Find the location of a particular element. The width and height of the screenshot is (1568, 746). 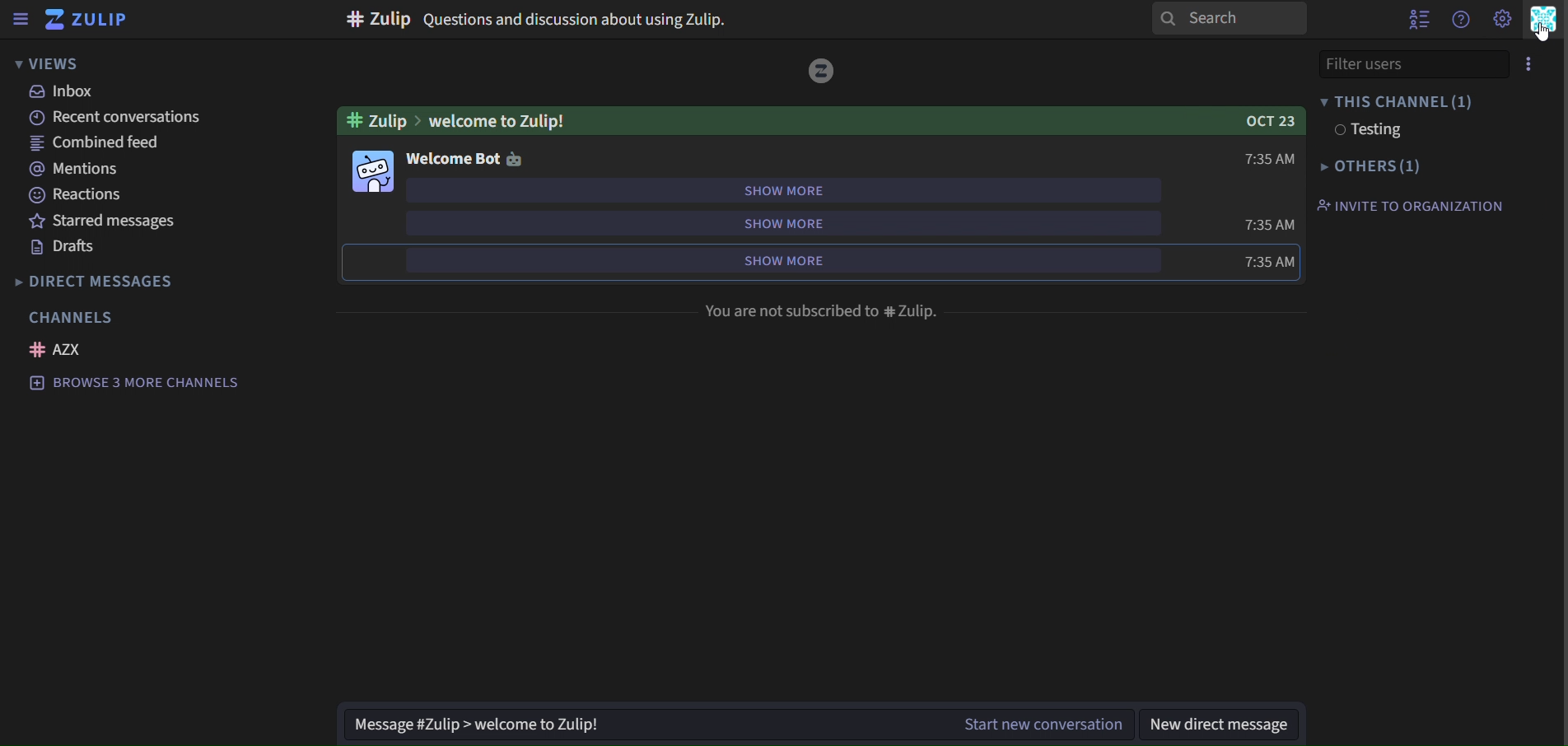

Message #Zulip > welcome to Zulip! is located at coordinates (637, 725).